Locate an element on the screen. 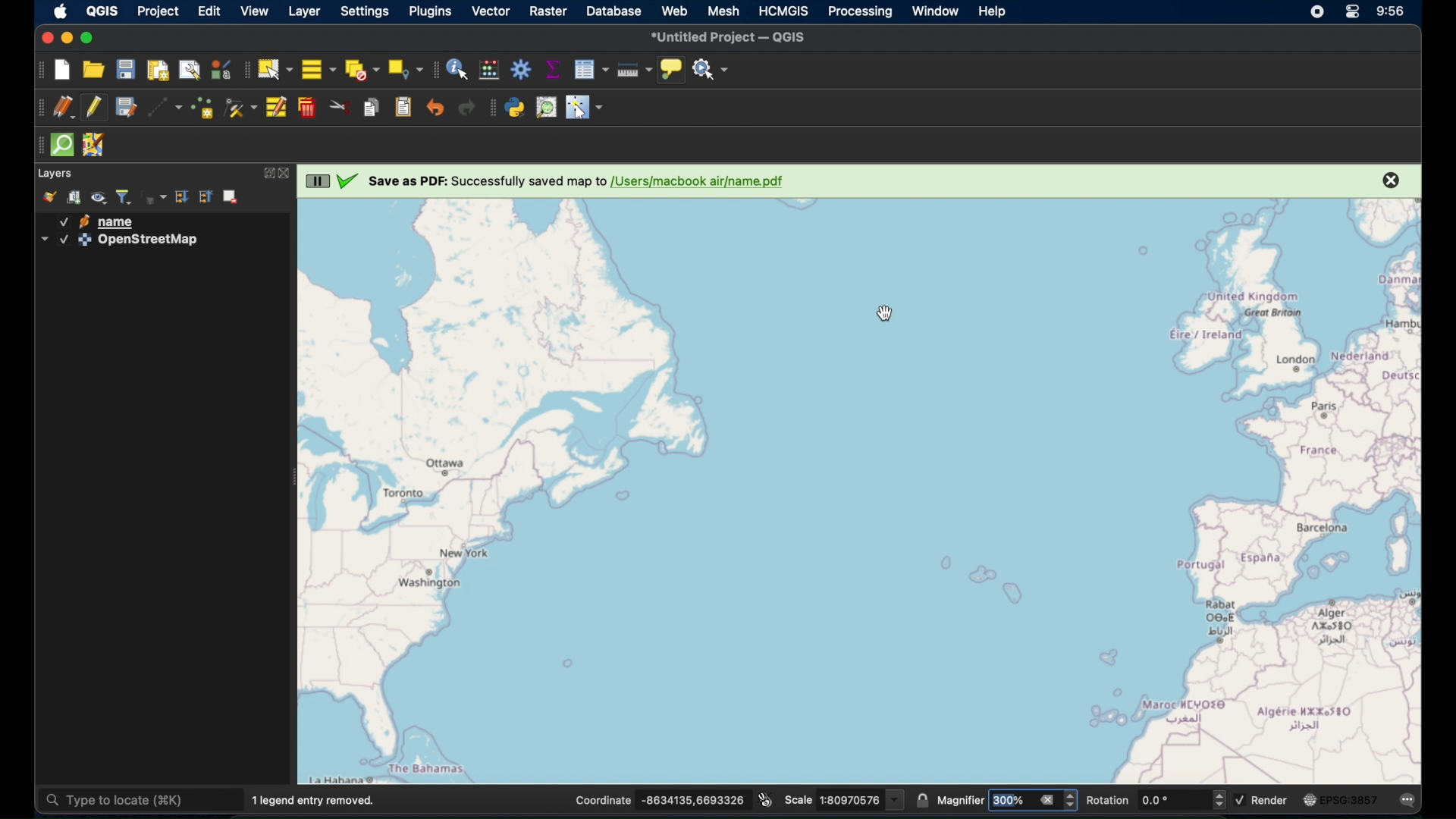 Image resolution: width=1456 pixels, height=819 pixels. selection toolbar is located at coordinates (243, 69).